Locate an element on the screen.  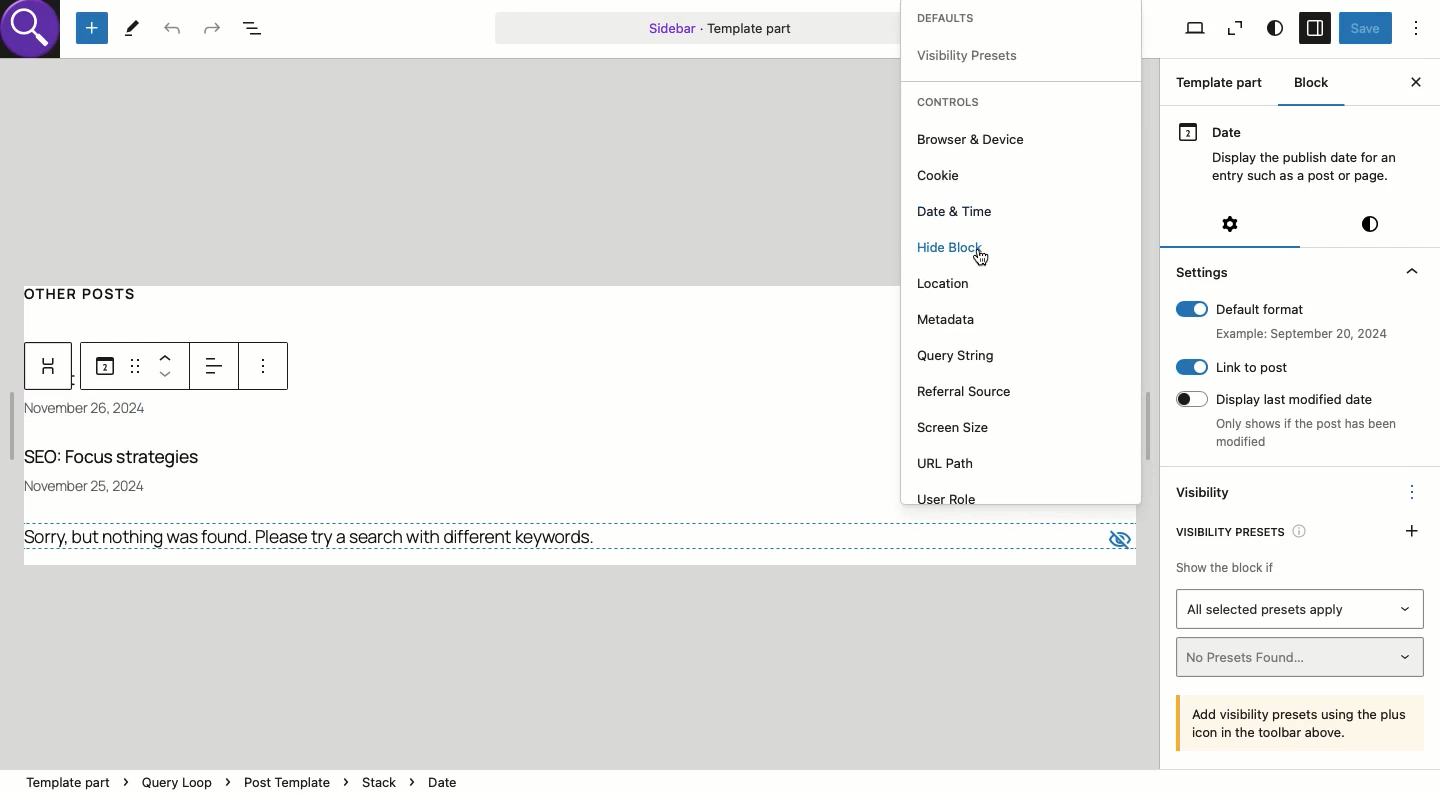
Defaults is located at coordinates (972, 19).